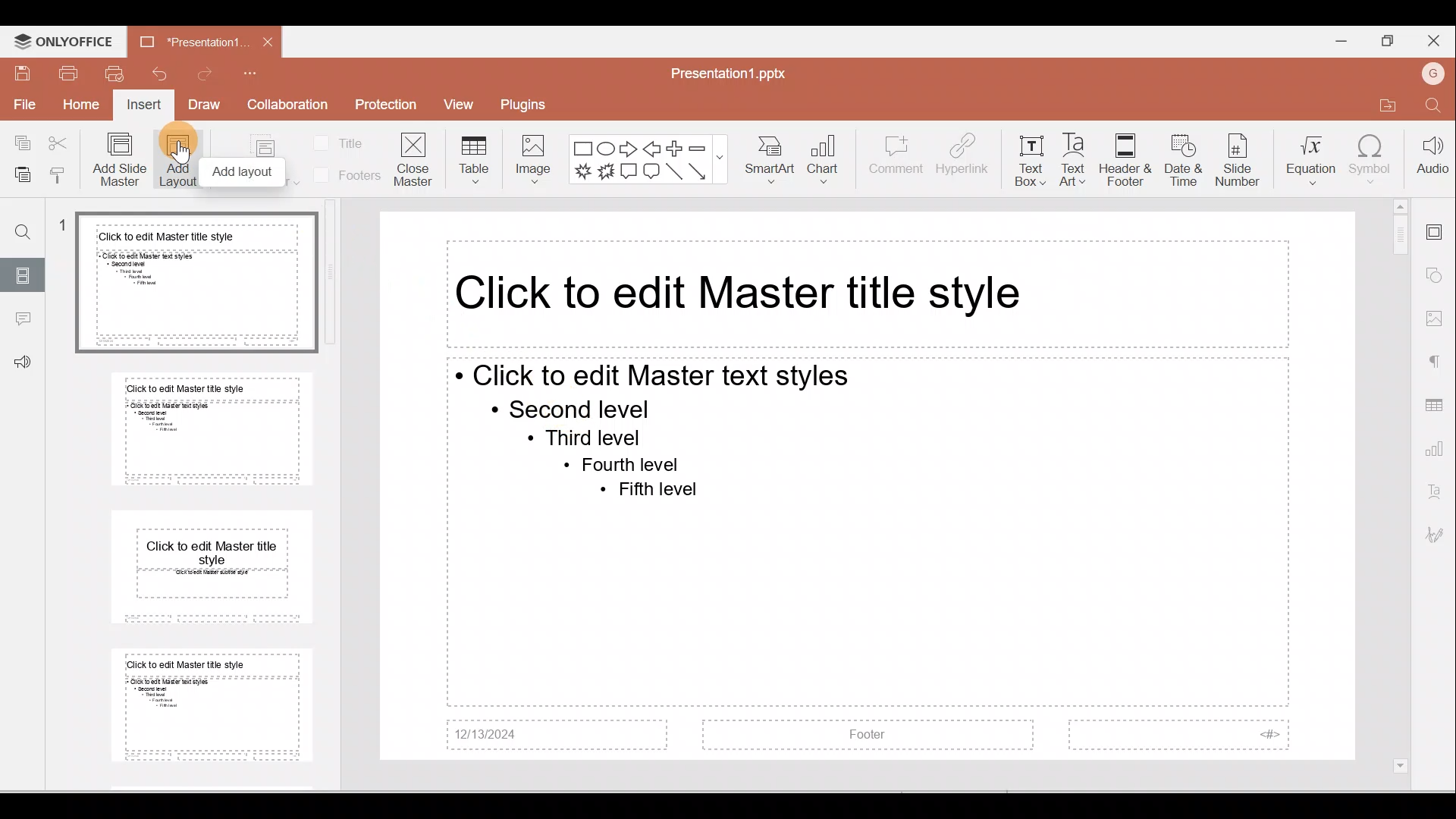 This screenshot has width=1456, height=819. I want to click on Copy formatting, so click(58, 172).